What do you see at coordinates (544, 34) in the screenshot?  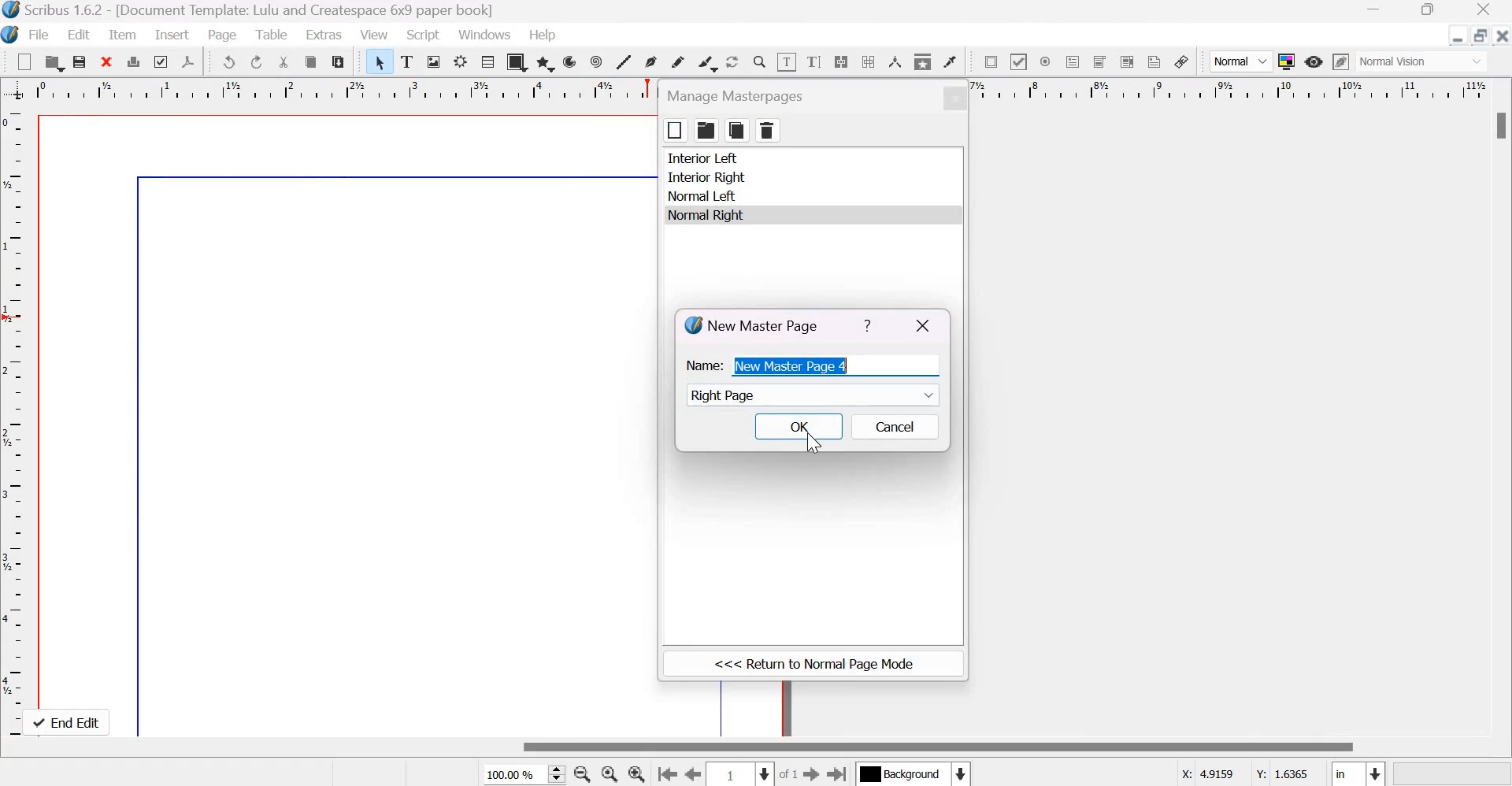 I see `Help` at bounding box center [544, 34].